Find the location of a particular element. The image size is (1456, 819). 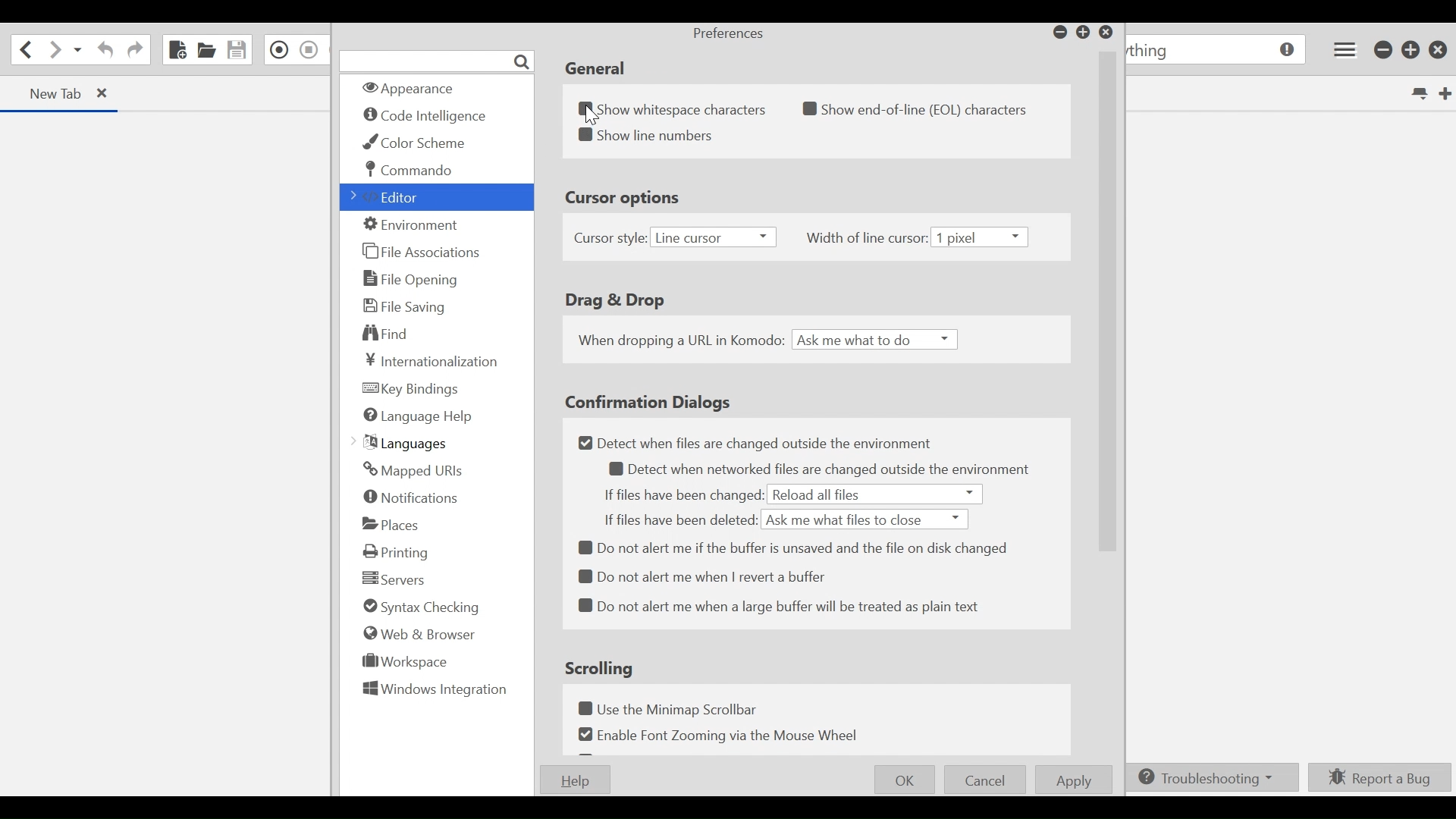

Workspace is located at coordinates (407, 663).